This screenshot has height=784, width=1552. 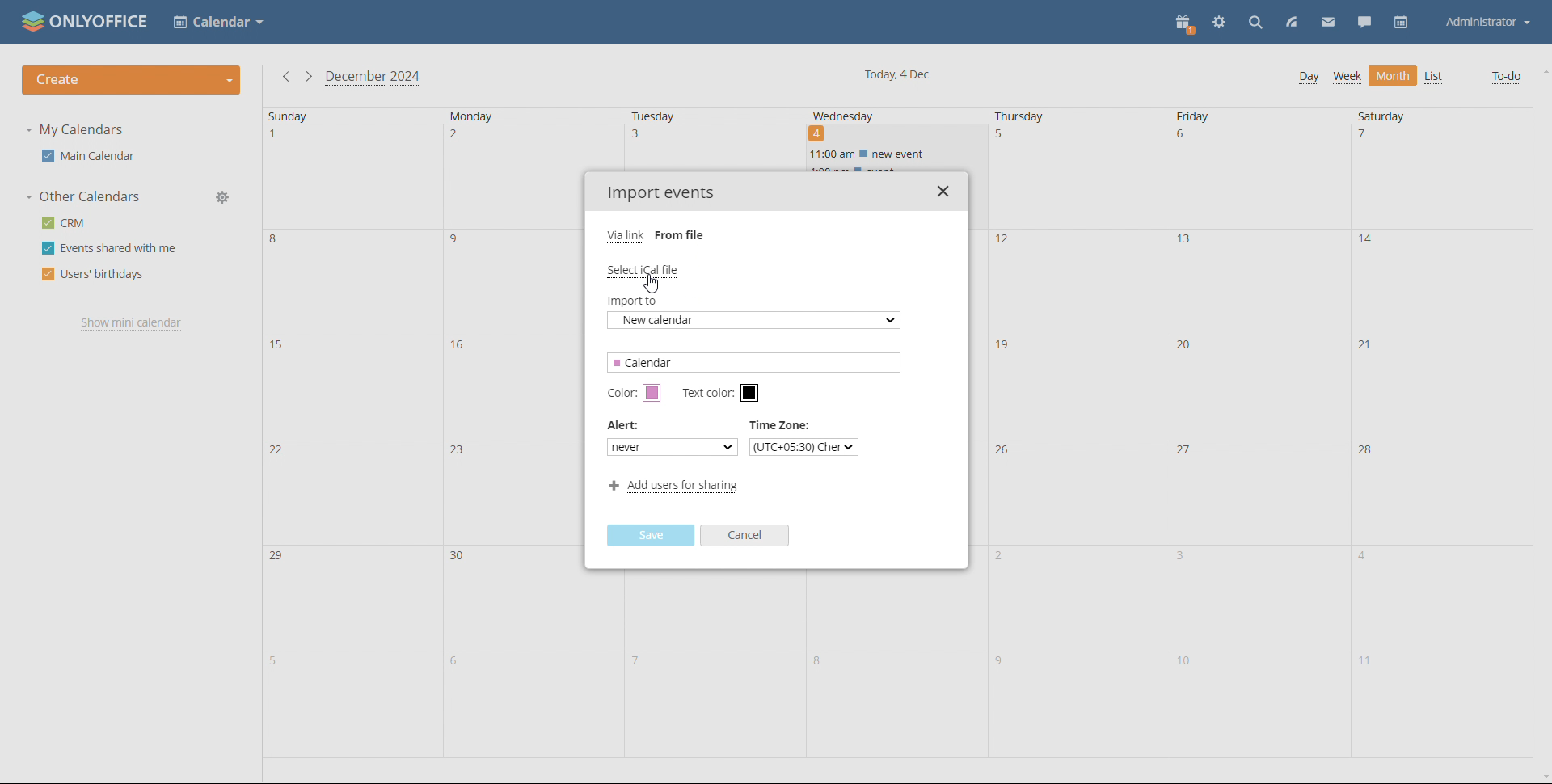 I want to click on set time zone, so click(x=804, y=444).